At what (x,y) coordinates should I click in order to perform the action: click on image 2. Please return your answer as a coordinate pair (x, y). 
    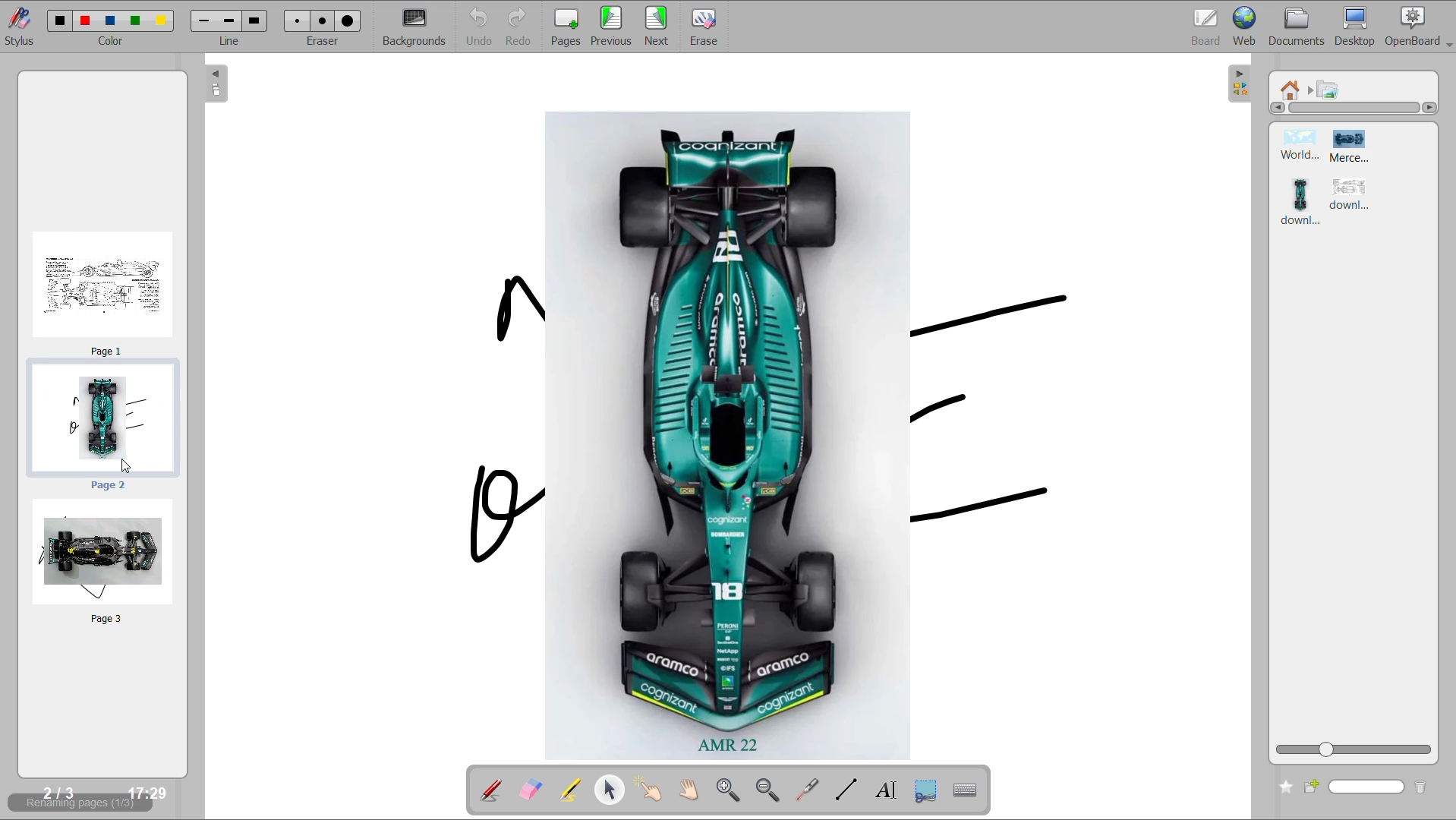
    Looking at the image, I should click on (1360, 147).